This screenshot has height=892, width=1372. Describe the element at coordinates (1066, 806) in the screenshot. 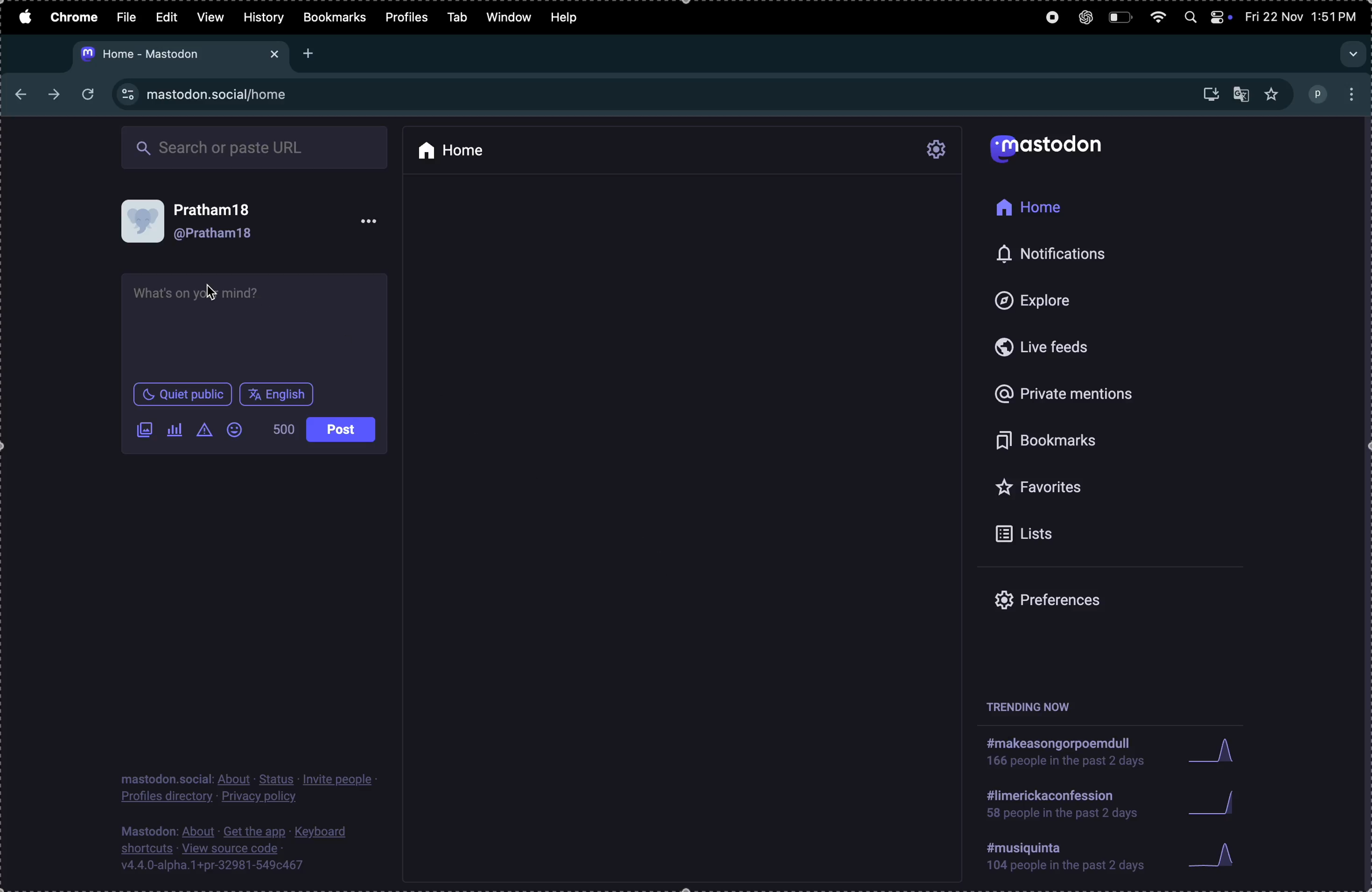

I see `hashtag` at that location.